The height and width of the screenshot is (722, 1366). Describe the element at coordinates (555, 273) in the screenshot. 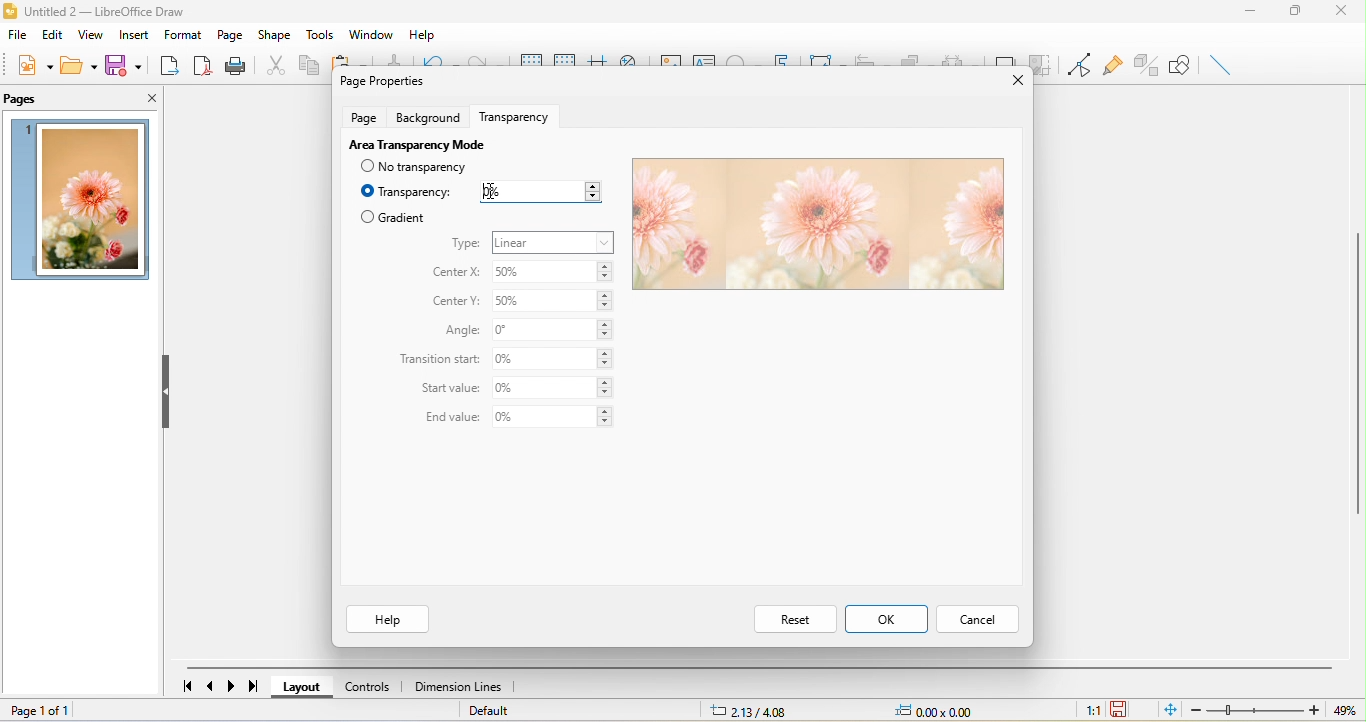

I see `50%` at that location.